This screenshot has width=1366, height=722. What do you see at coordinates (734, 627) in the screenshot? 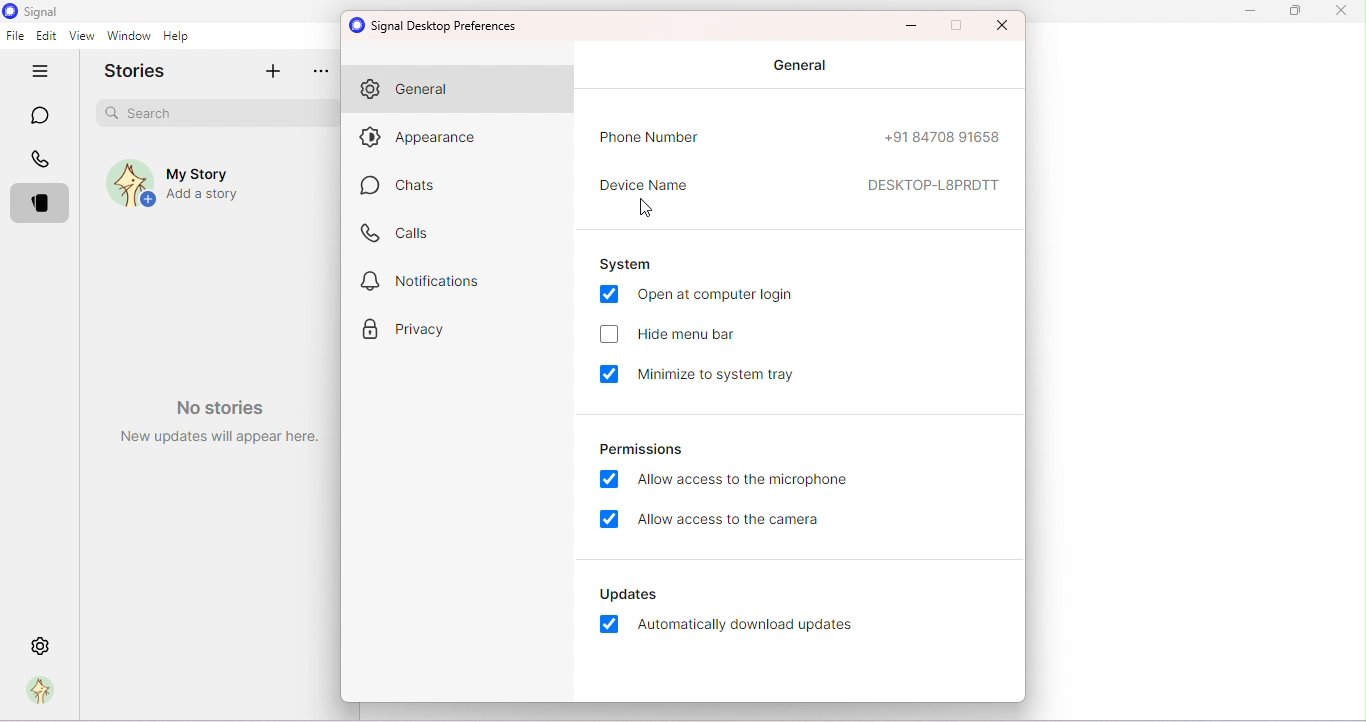
I see `Automatically download updates` at bounding box center [734, 627].